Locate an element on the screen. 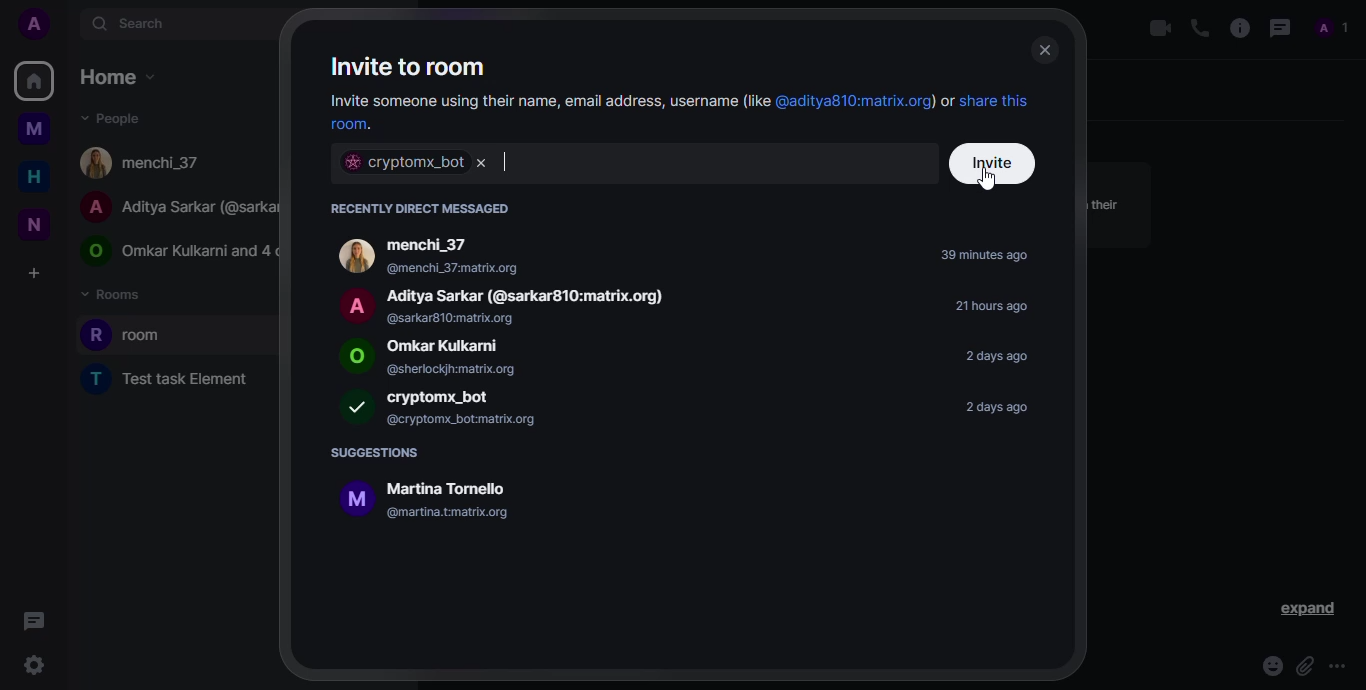 The height and width of the screenshot is (690, 1366). A Aditya Sarkar (@sarka is located at coordinates (181, 207).